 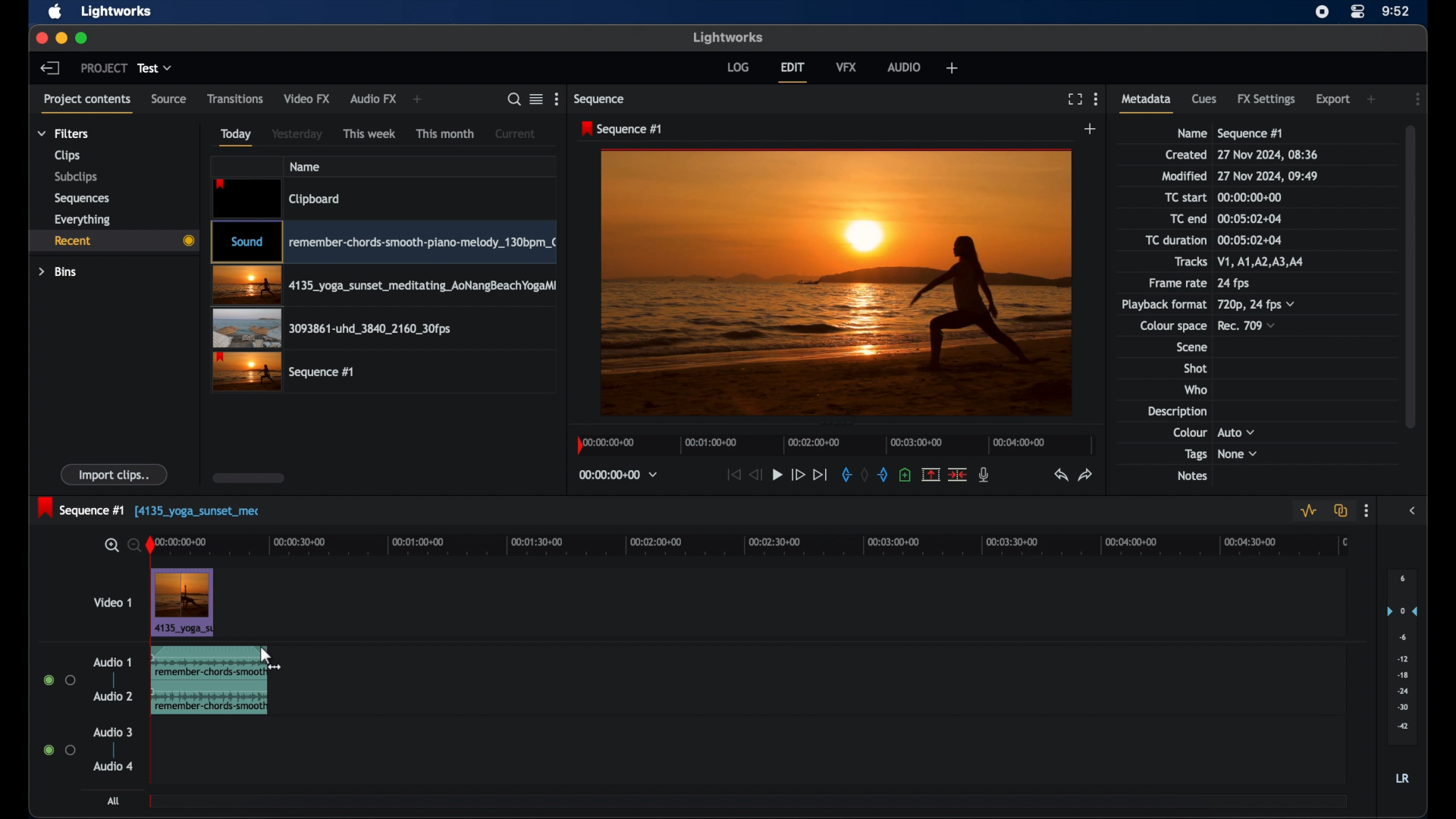 What do you see at coordinates (864, 475) in the screenshot?
I see `clear marks` at bounding box center [864, 475].